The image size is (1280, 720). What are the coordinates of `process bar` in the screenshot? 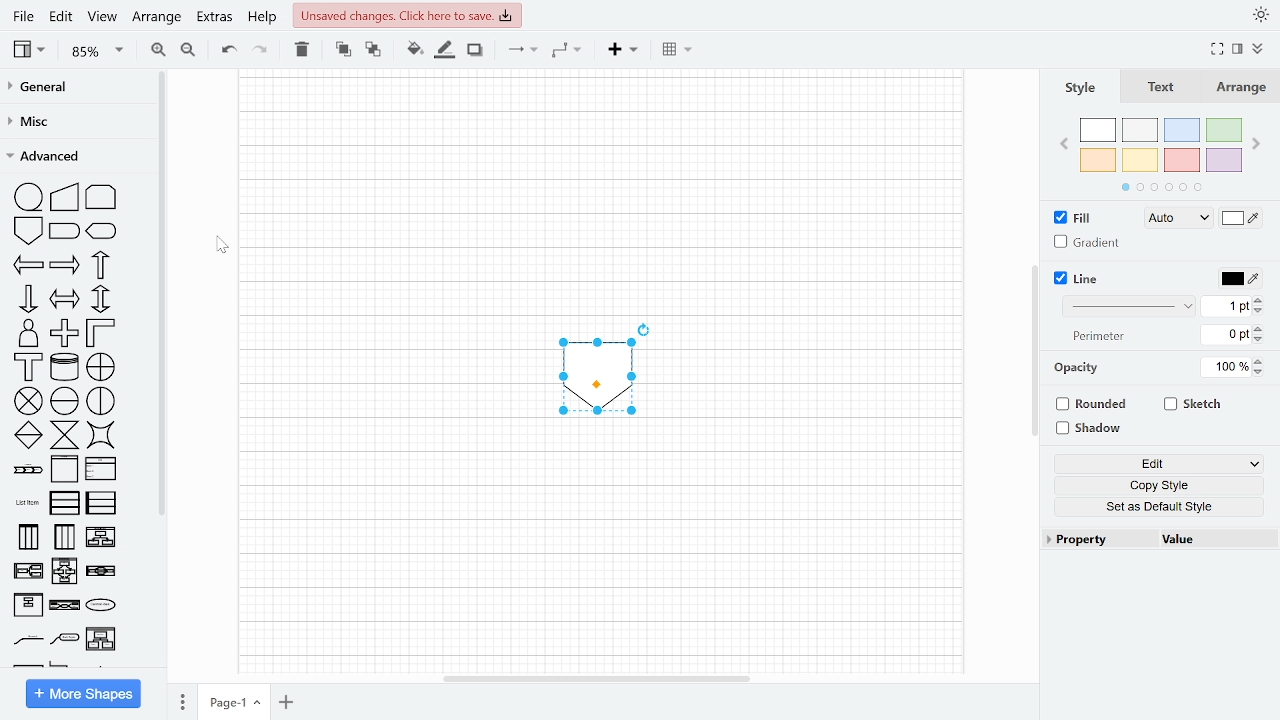 It's located at (27, 470).